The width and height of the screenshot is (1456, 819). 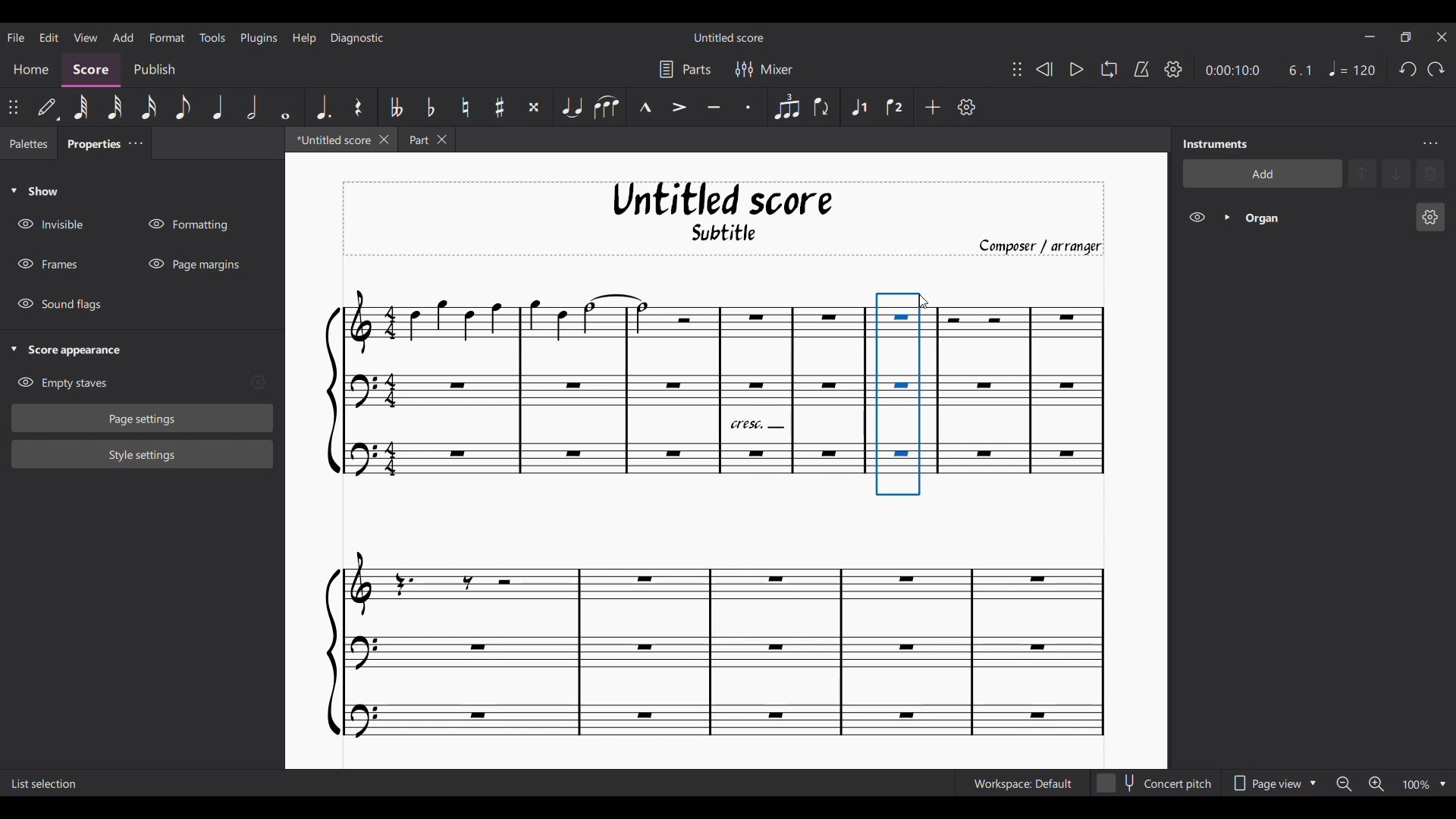 What do you see at coordinates (153, 71) in the screenshot?
I see `Publish section` at bounding box center [153, 71].